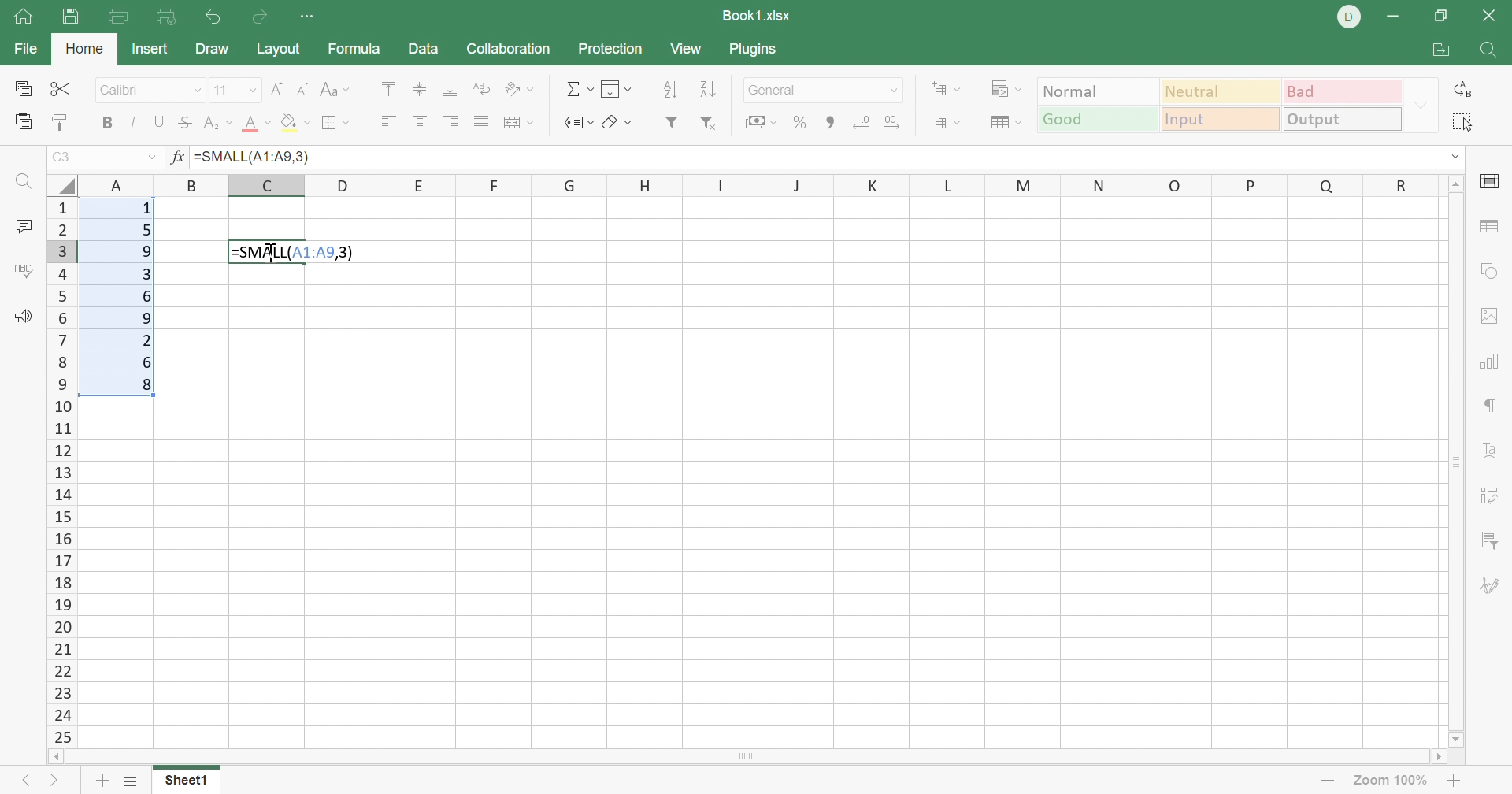 This screenshot has height=794, width=1512. I want to click on Align right, so click(451, 121).